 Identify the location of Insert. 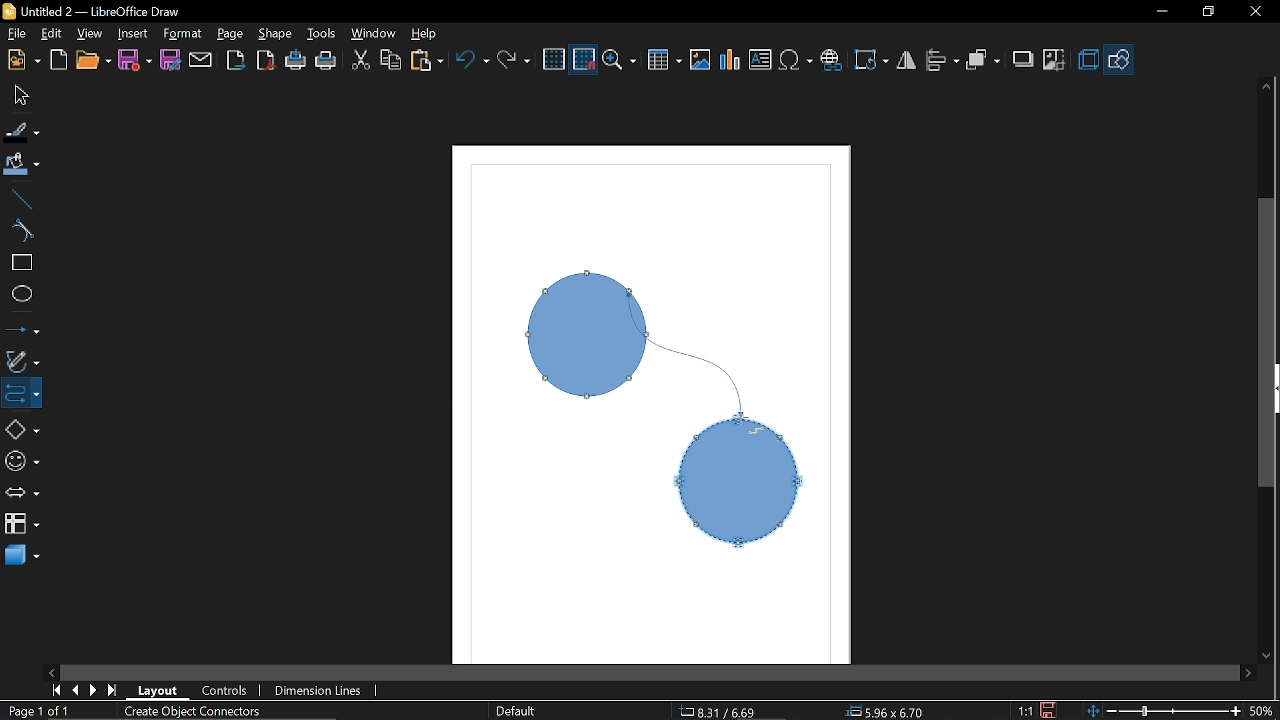
(131, 33).